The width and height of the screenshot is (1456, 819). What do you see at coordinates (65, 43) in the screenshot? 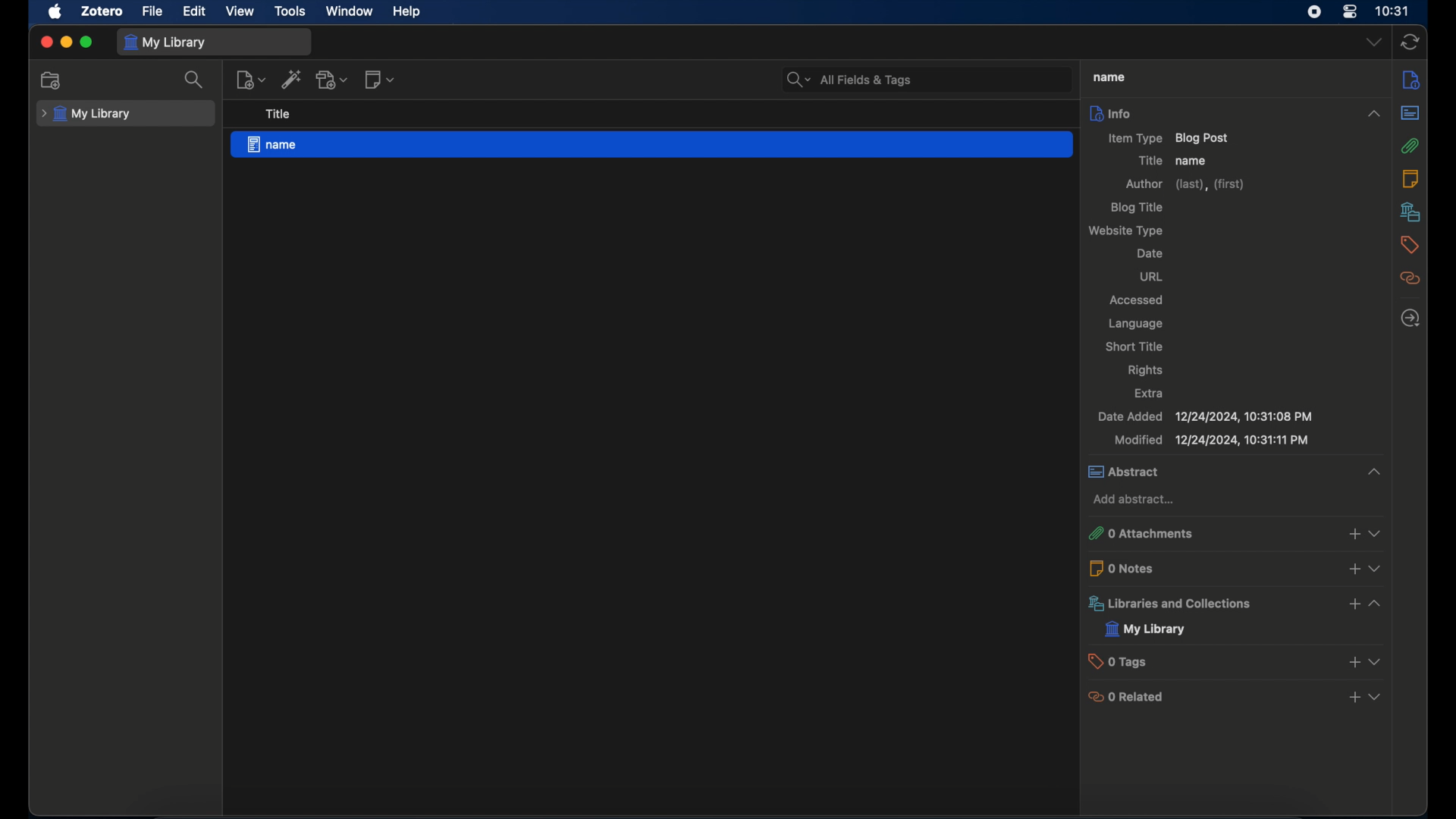
I see `minimize` at bounding box center [65, 43].